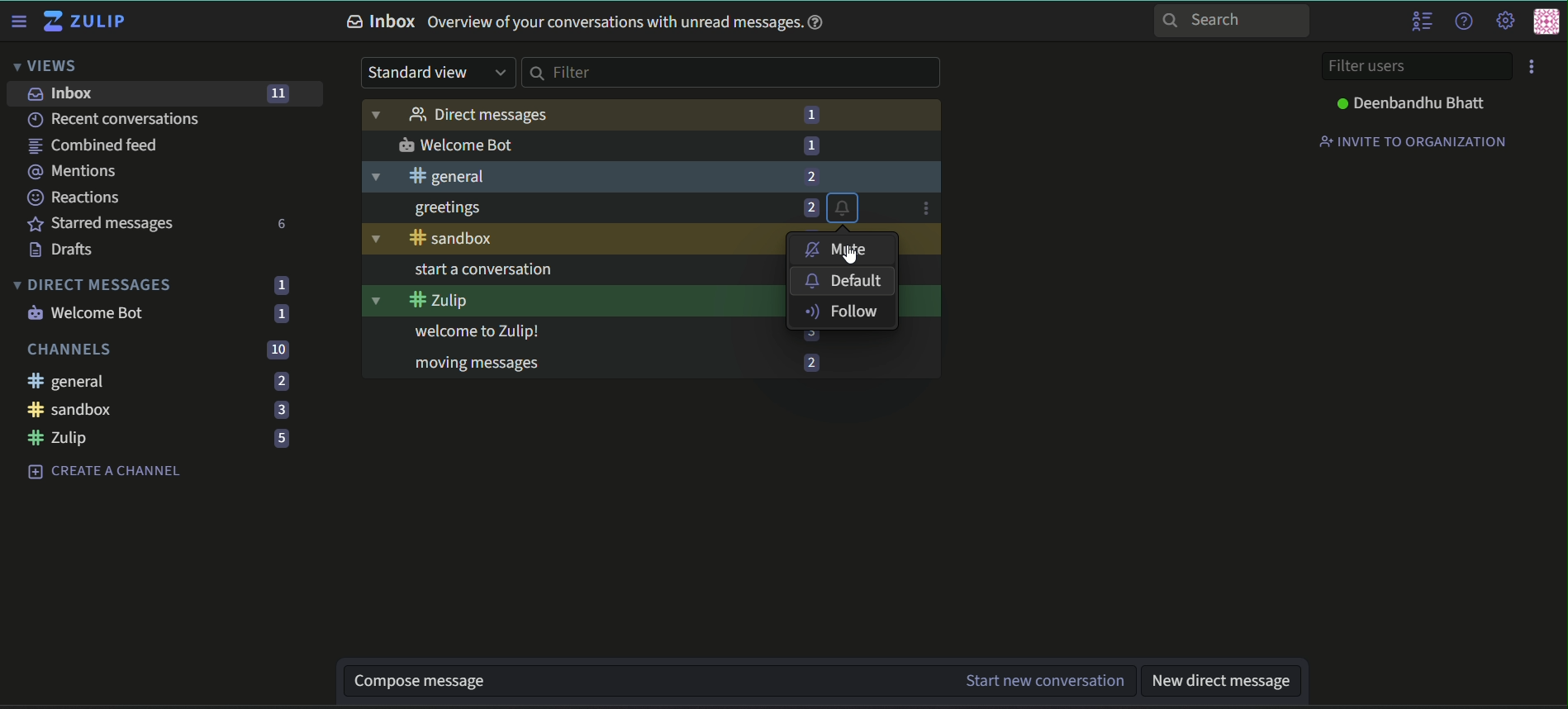 Image resolution: width=1568 pixels, height=709 pixels. Describe the element at coordinates (731, 74) in the screenshot. I see `Filter` at that location.